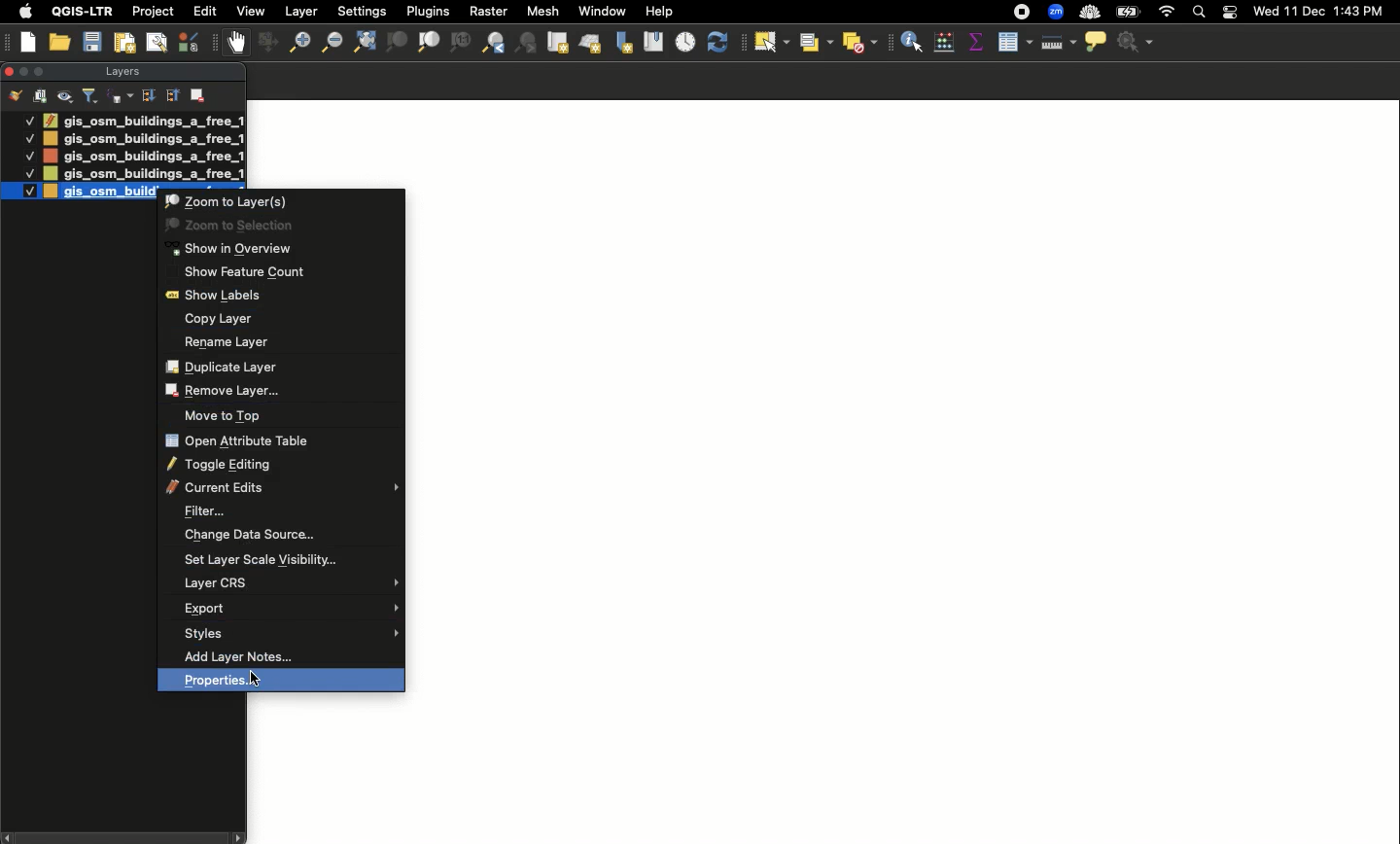 The image size is (1400, 844). What do you see at coordinates (199, 93) in the screenshot?
I see `Remove` at bounding box center [199, 93].